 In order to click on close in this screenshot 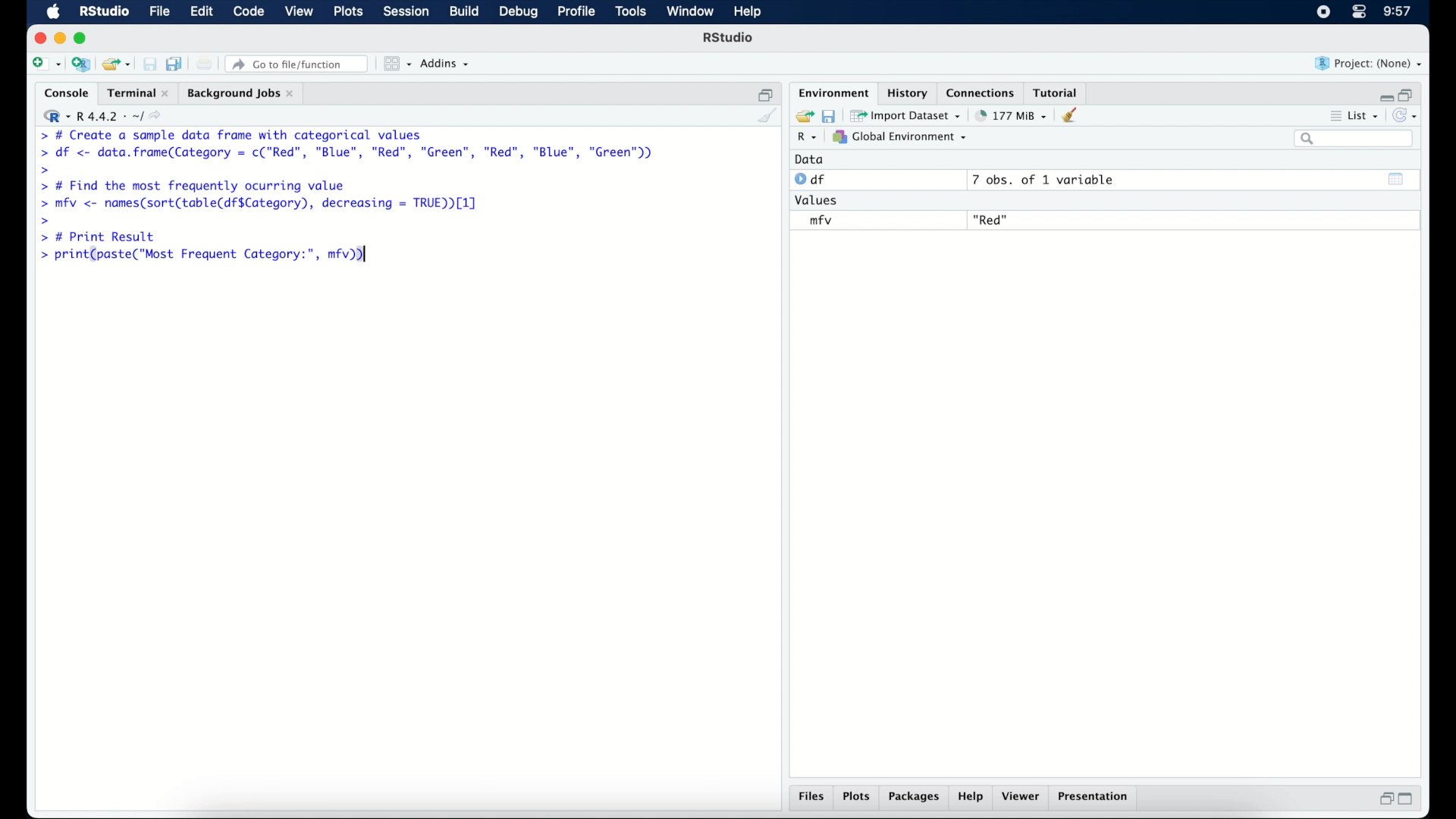, I will do `click(37, 37)`.